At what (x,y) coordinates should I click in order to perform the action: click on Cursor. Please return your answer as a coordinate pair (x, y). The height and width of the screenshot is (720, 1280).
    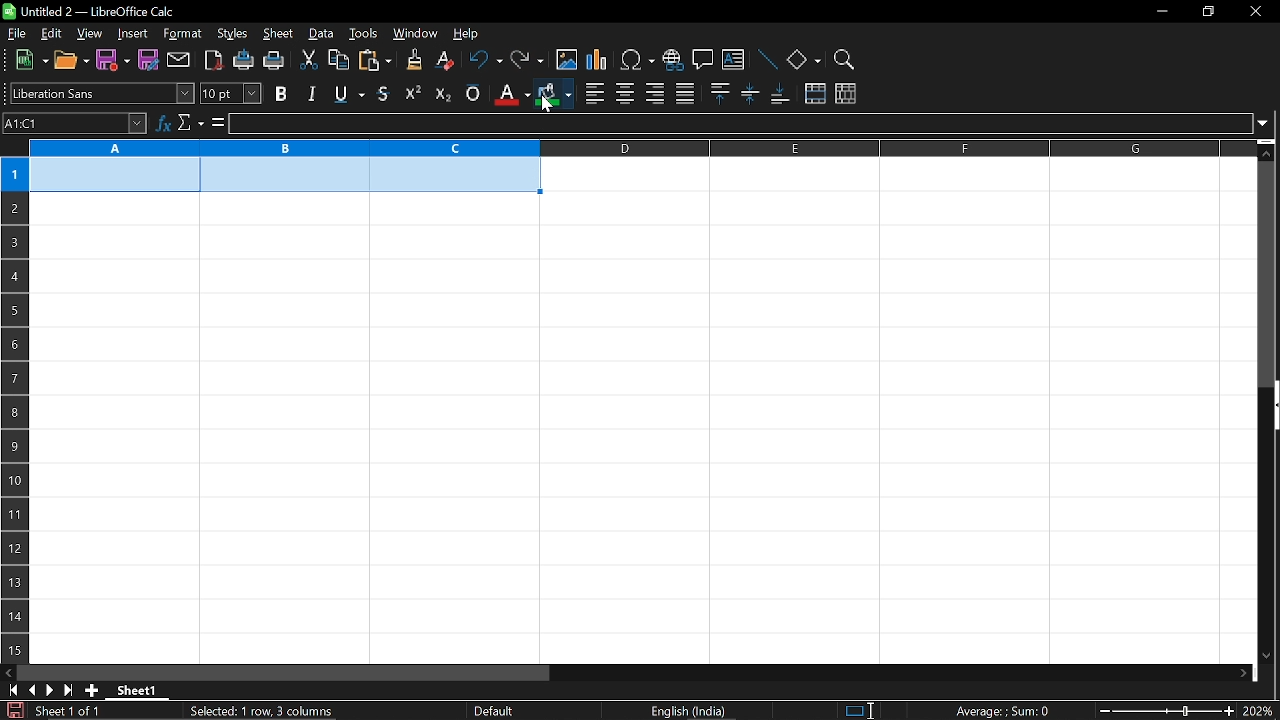
    Looking at the image, I should click on (545, 103).